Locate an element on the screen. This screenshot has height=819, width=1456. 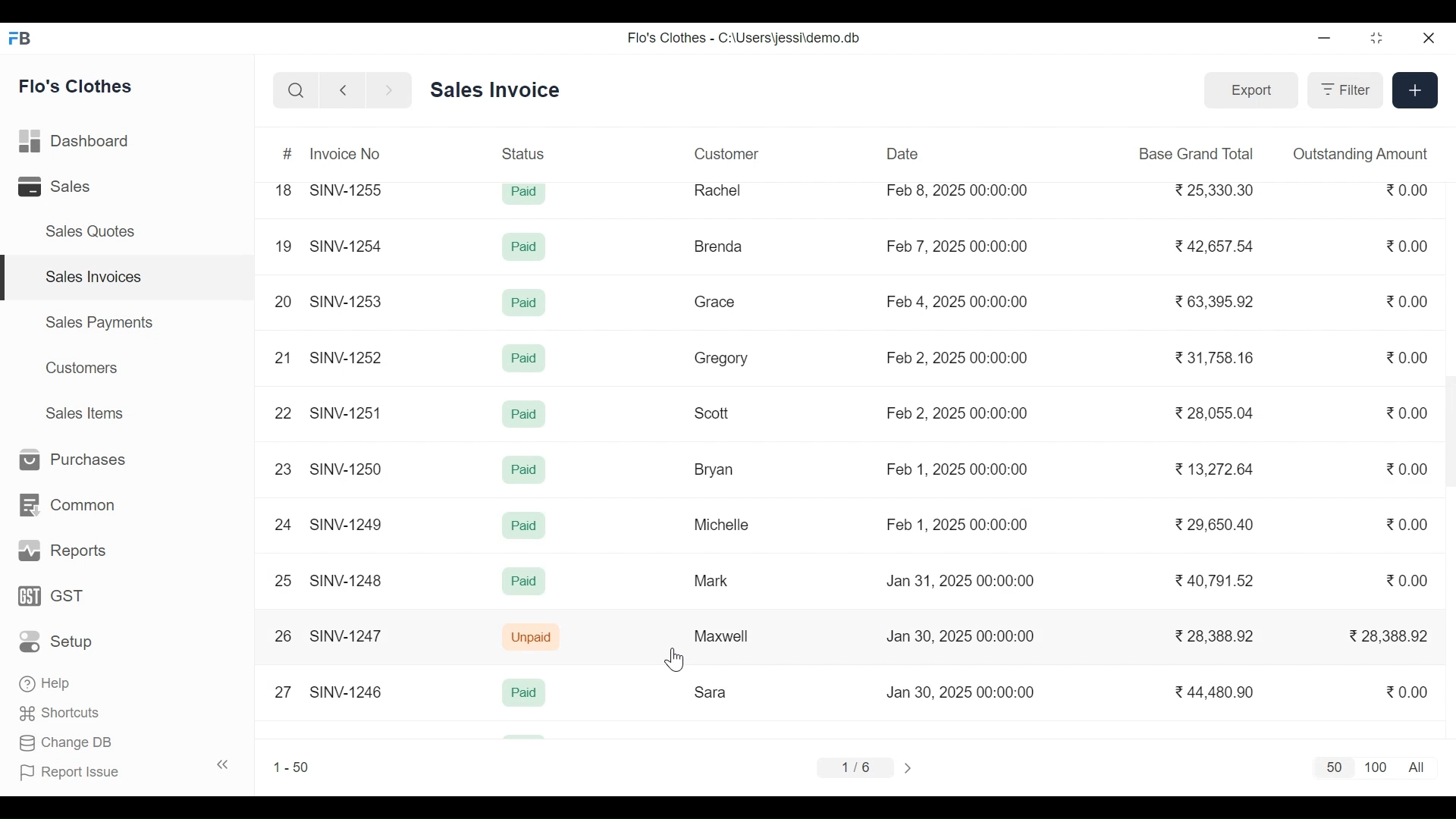
Feb 2, 2025 00:00:00 is located at coordinates (957, 358).